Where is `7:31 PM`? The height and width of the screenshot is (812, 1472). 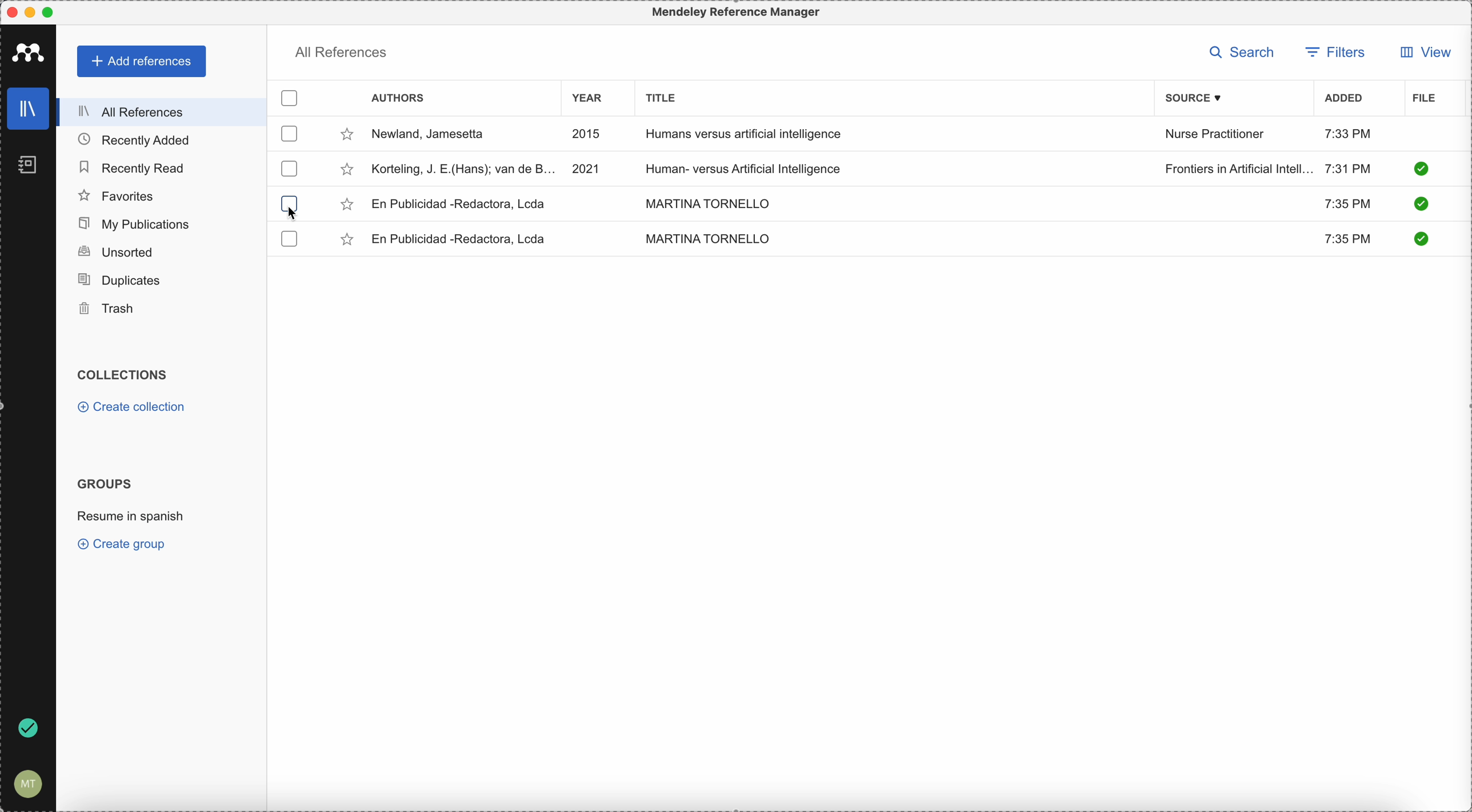
7:31 PM is located at coordinates (1348, 167).